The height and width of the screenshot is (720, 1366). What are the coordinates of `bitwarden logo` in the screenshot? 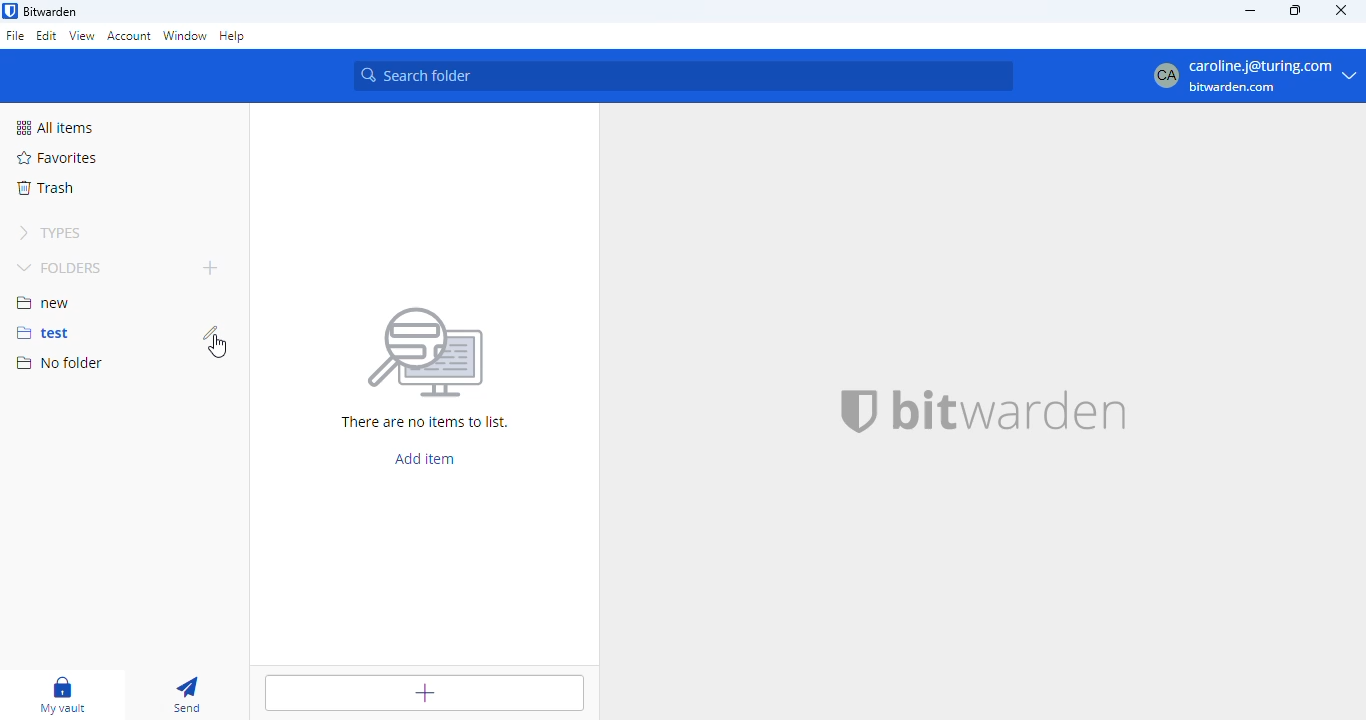 It's located at (857, 408).